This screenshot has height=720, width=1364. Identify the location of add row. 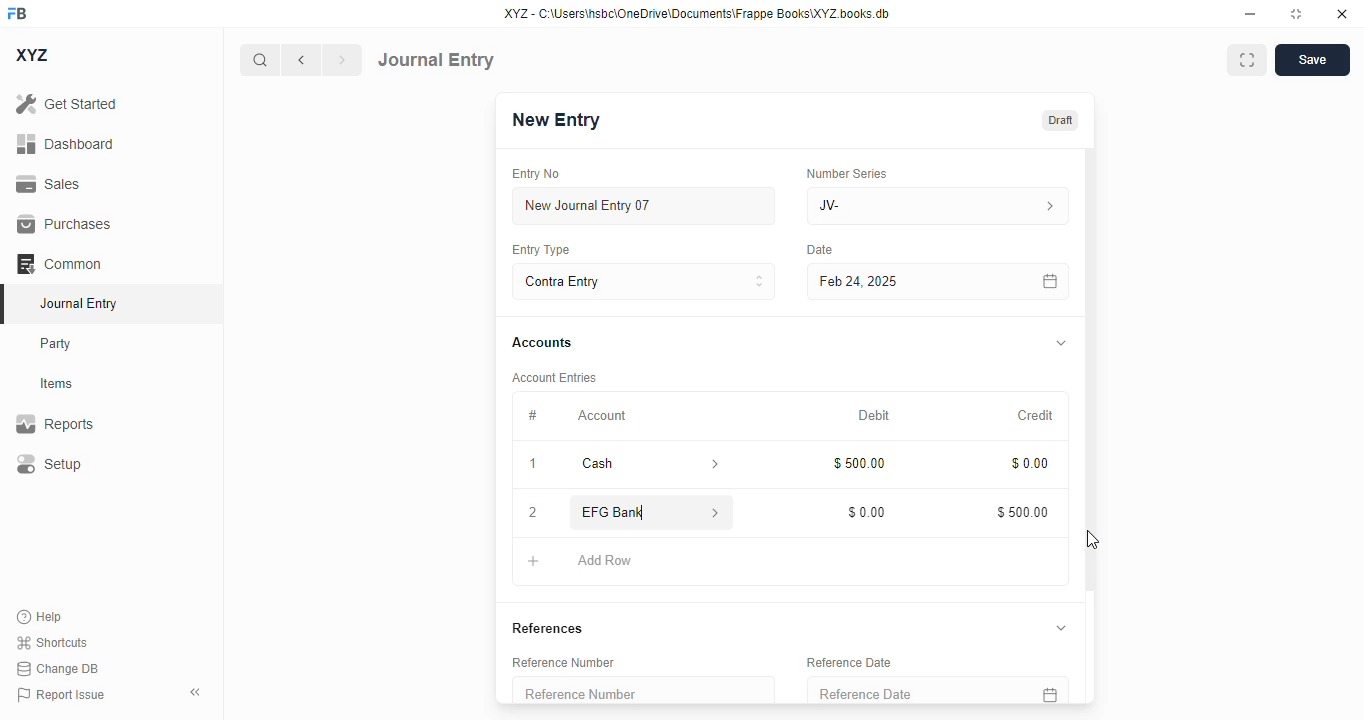
(605, 561).